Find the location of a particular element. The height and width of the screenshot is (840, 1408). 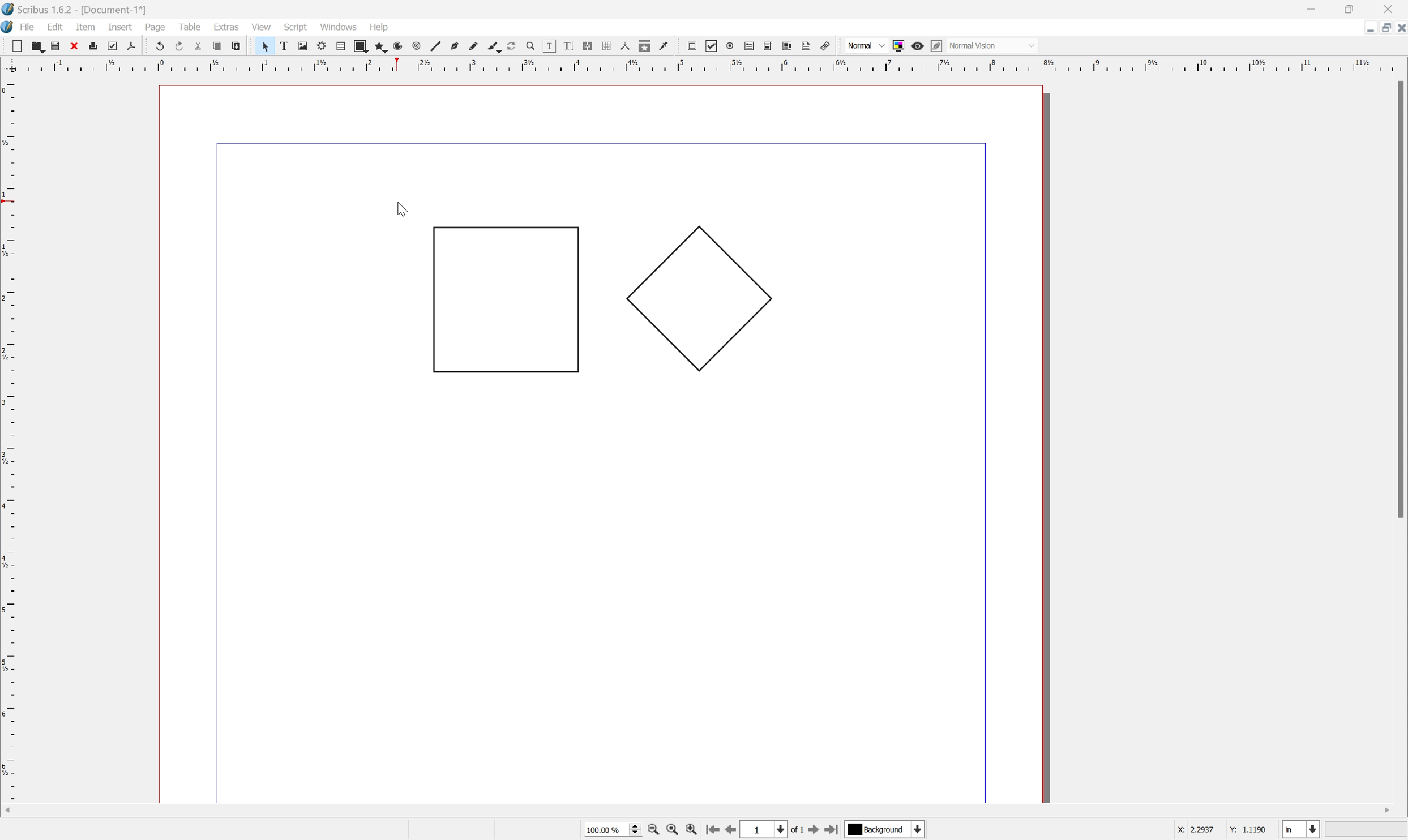

pdf text field is located at coordinates (748, 45).